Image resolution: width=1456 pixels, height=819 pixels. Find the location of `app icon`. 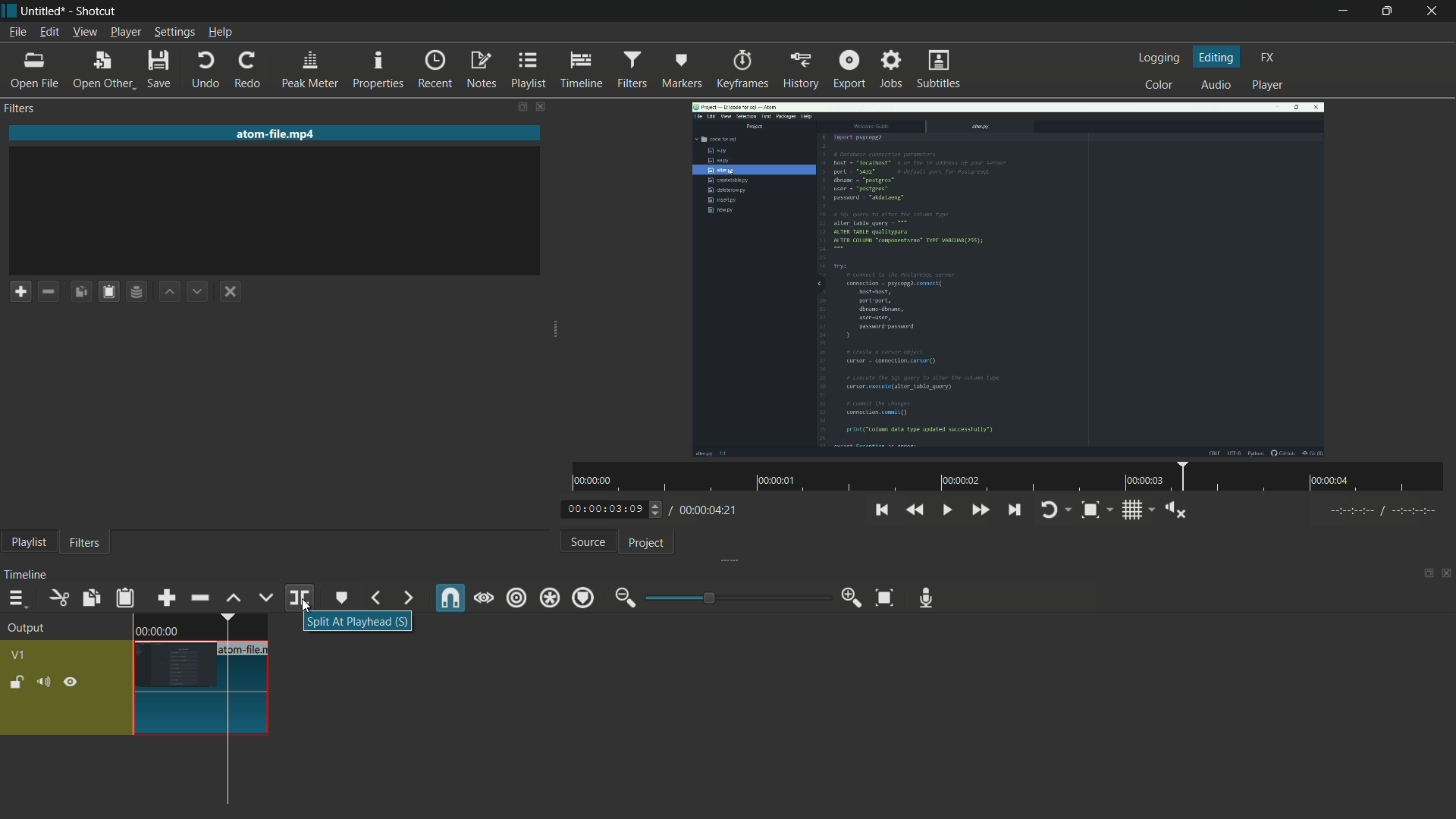

app icon is located at coordinates (10, 14).